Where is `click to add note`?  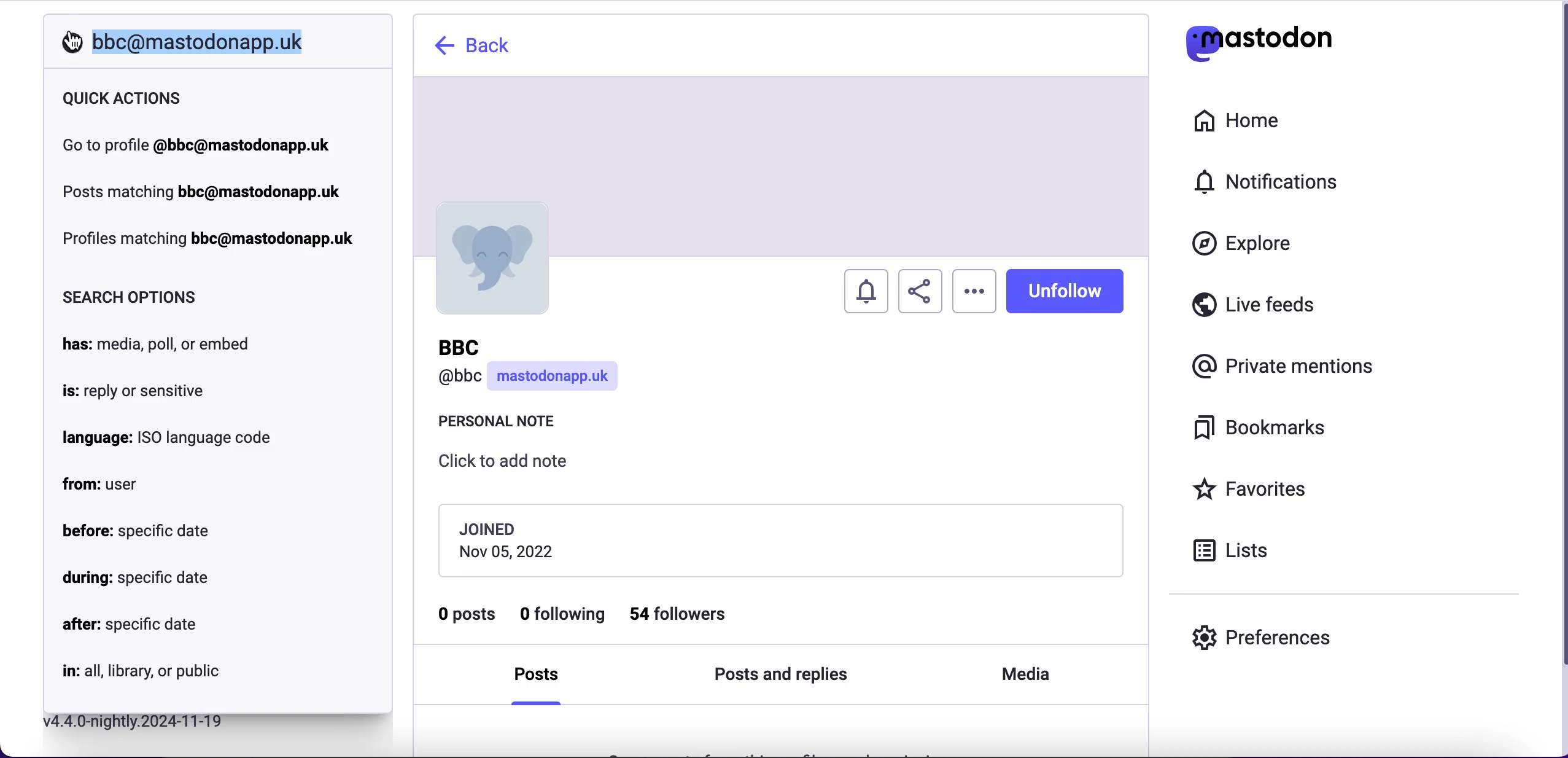
click to add note is located at coordinates (513, 466).